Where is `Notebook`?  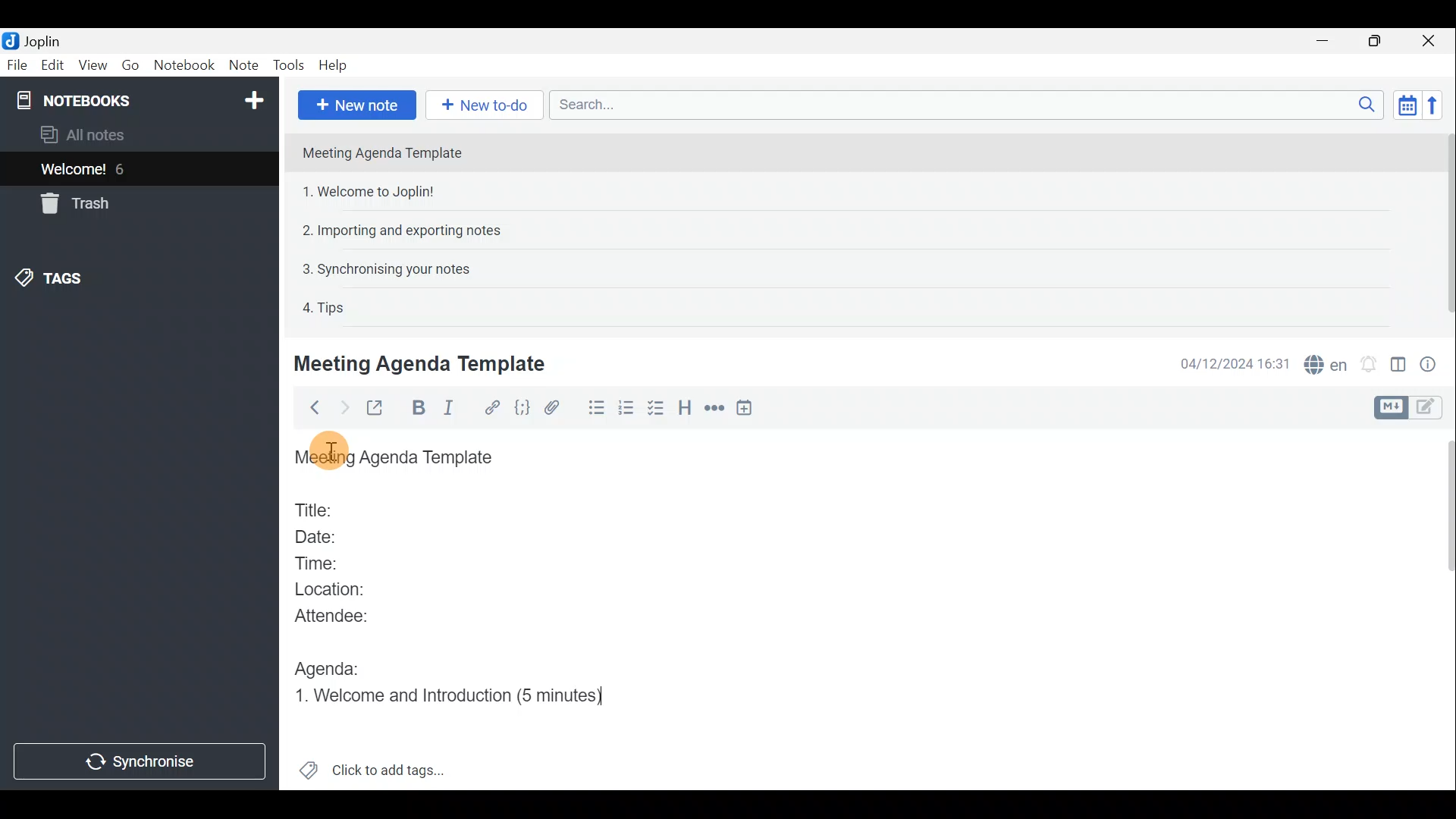 Notebook is located at coordinates (183, 64).